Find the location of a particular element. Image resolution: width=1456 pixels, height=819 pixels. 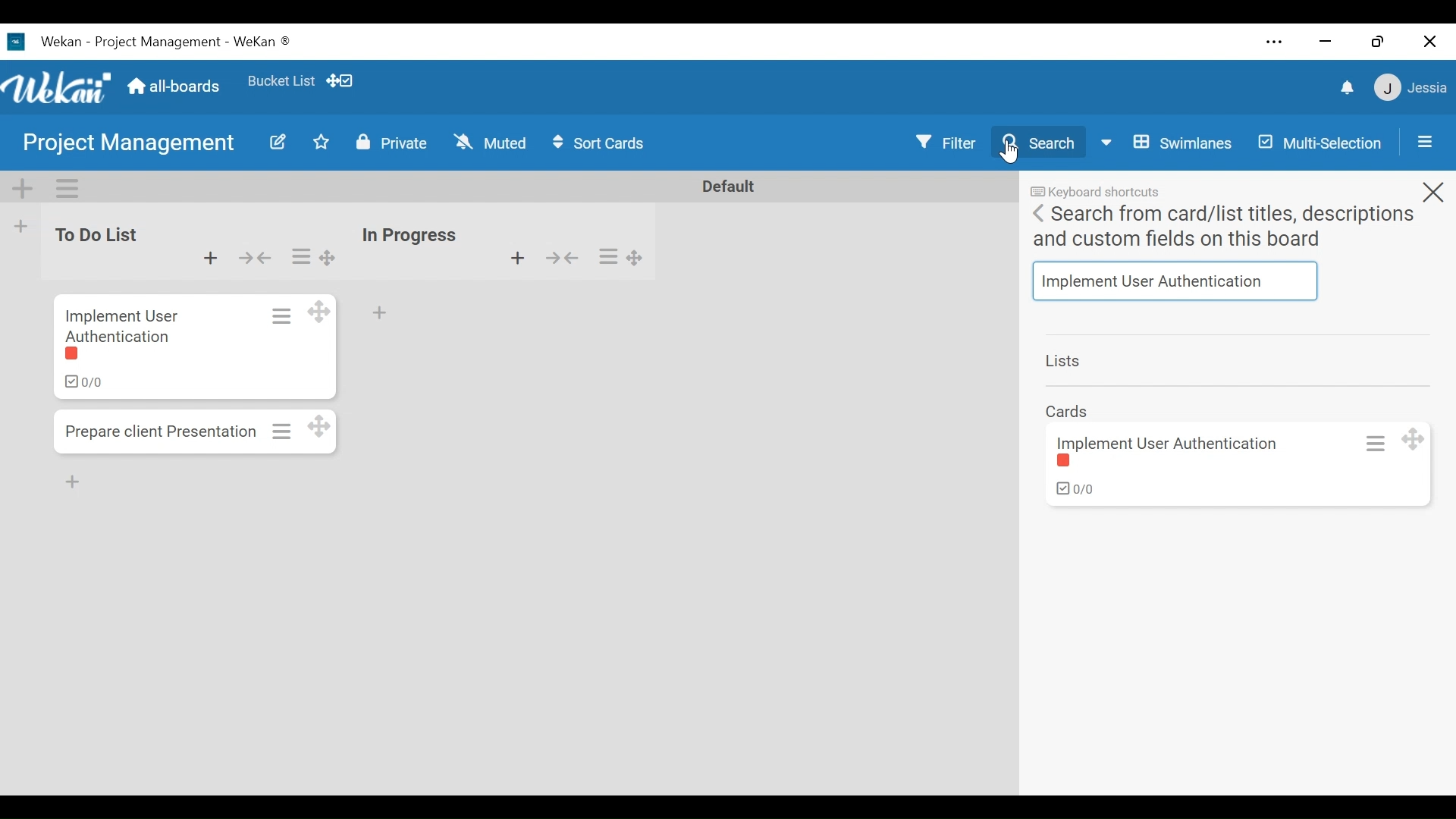

Implement user authentication is located at coordinates (1172, 442).